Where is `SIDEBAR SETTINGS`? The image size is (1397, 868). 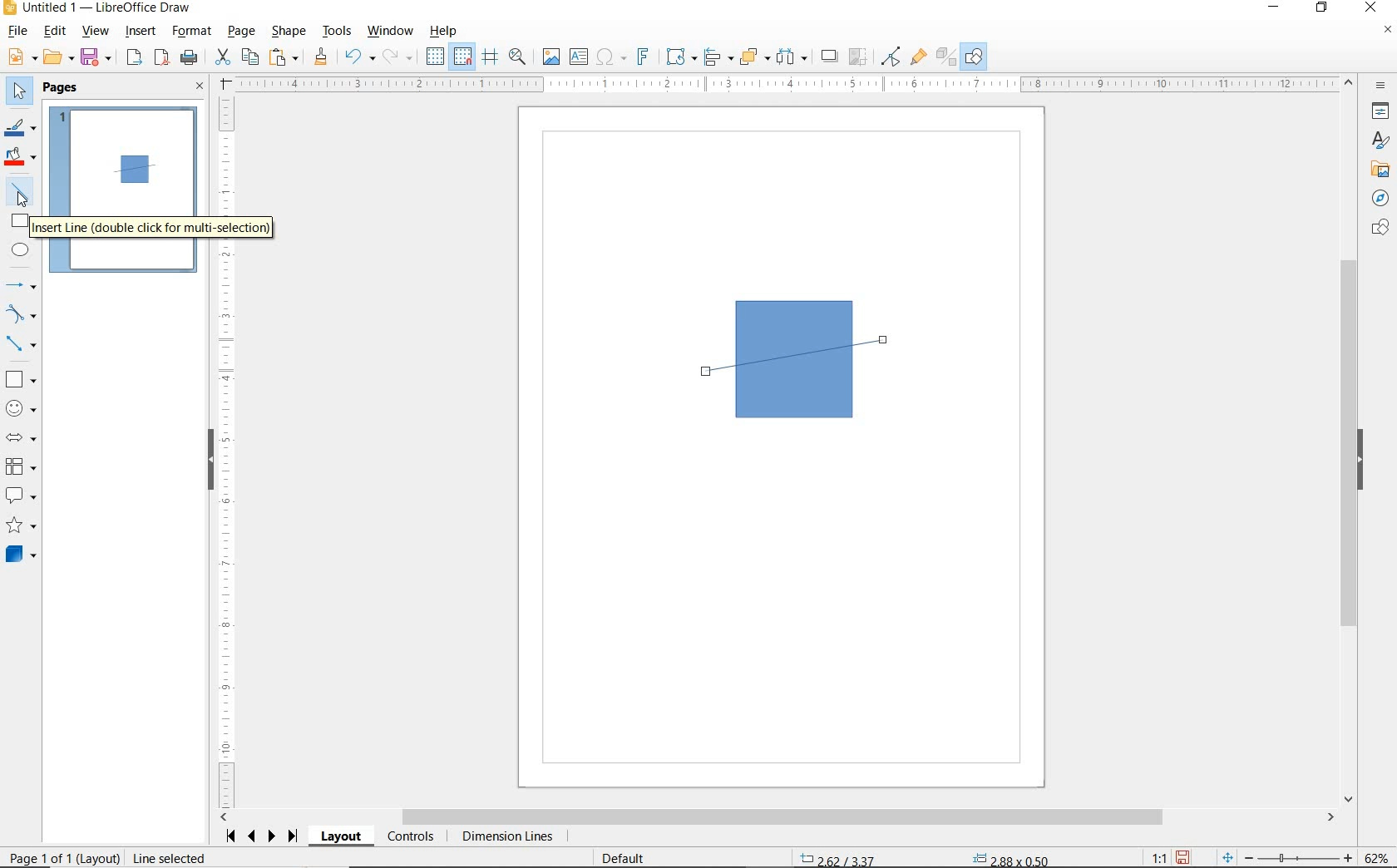 SIDEBAR SETTINGS is located at coordinates (1382, 86).